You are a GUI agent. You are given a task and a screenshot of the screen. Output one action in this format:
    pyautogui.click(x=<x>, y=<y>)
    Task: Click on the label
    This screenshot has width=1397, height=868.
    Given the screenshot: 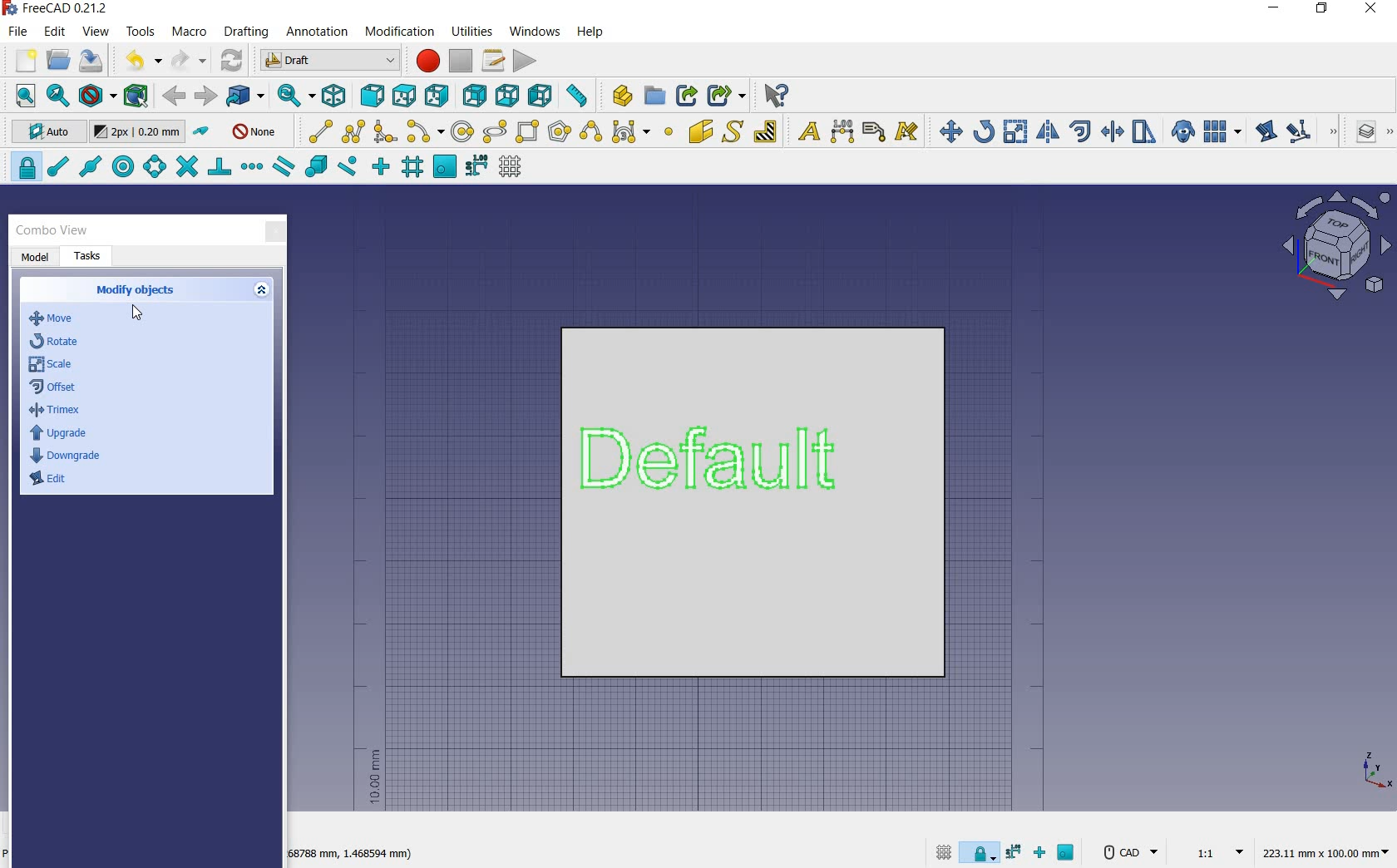 What is the action you would take?
    pyautogui.click(x=874, y=131)
    